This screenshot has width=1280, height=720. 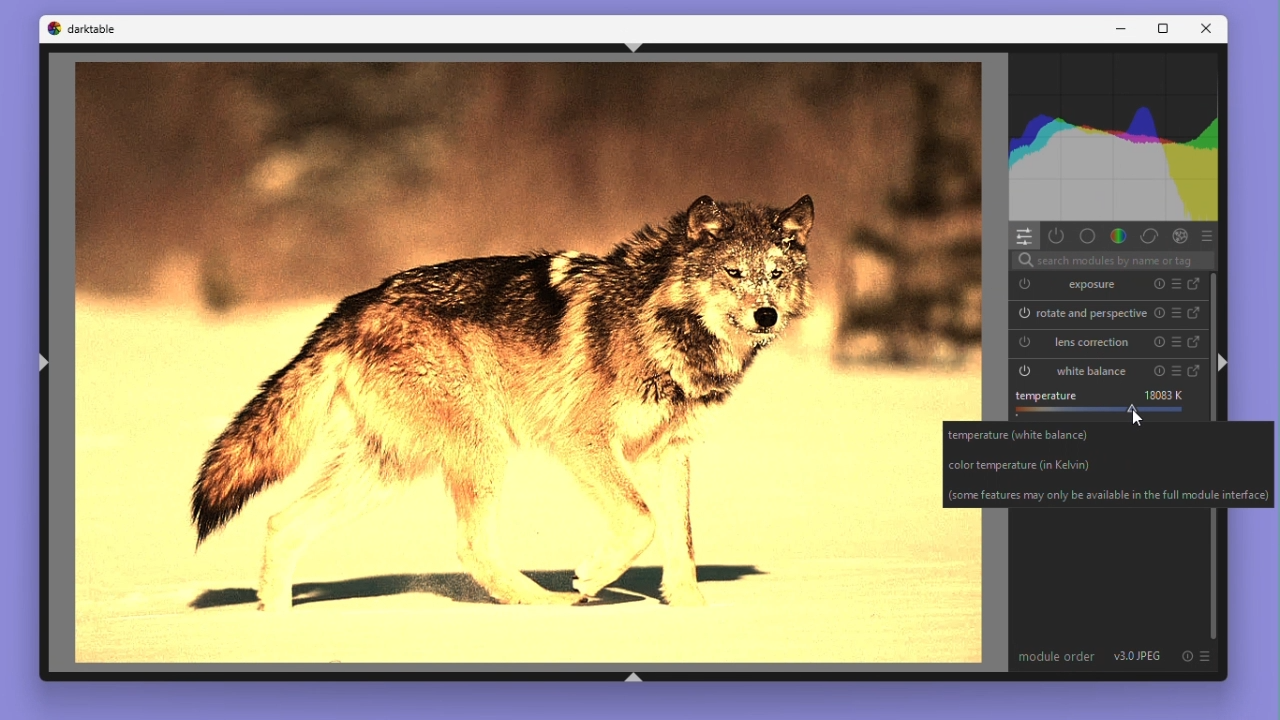 I want to click on Reset, so click(x=1185, y=656).